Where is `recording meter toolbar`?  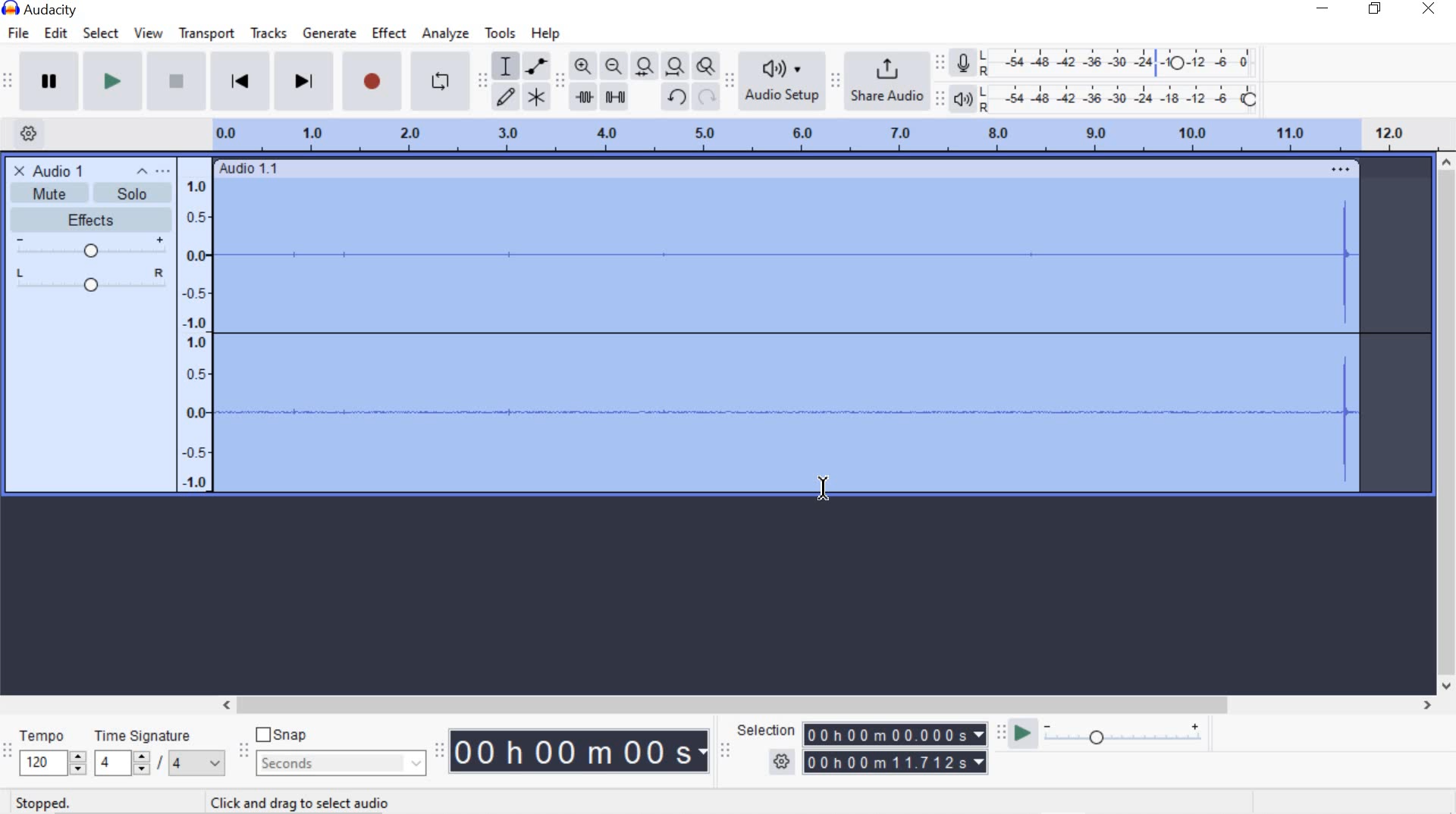
recording meter toolbar is located at coordinates (943, 61).